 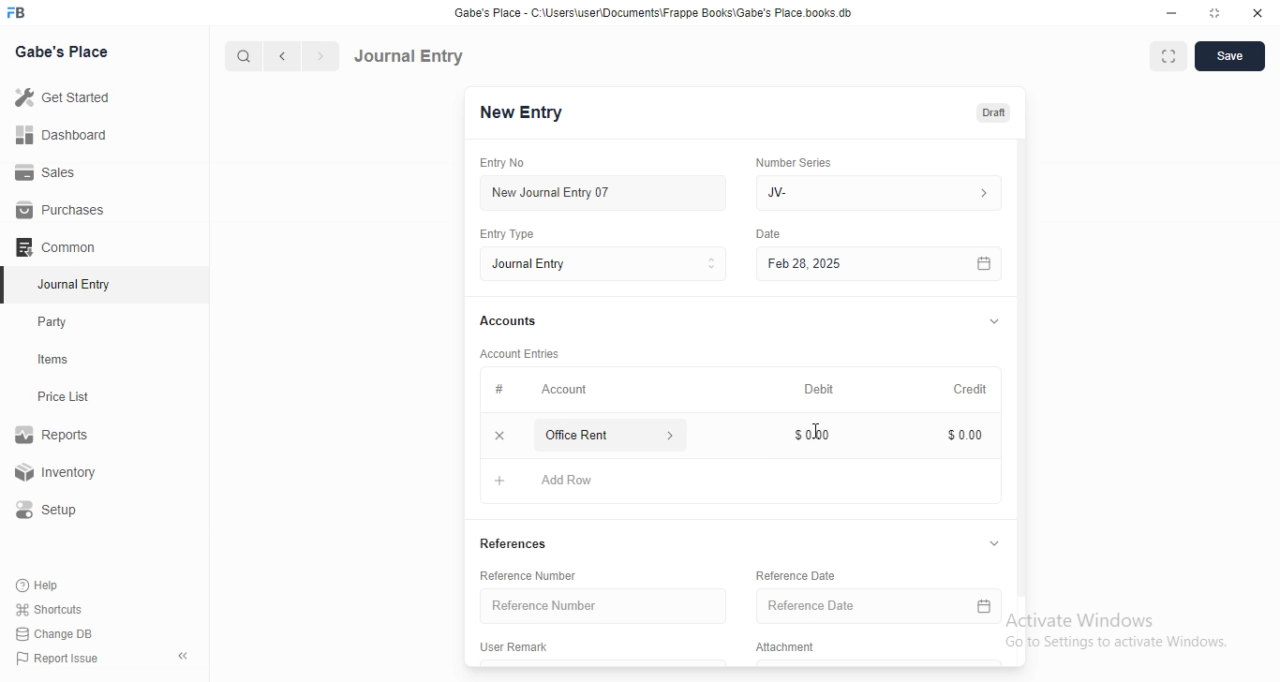 I want to click on backward, so click(x=281, y=56).